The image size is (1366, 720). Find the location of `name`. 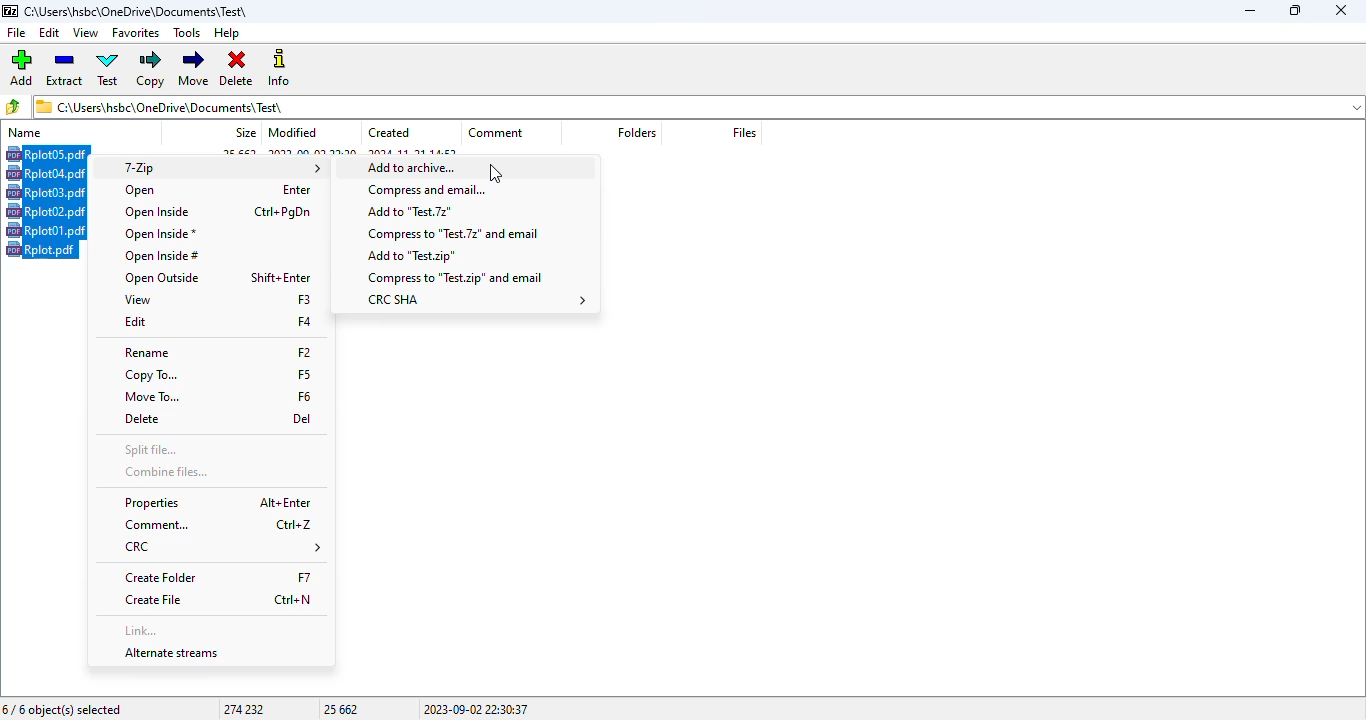

name is located at coordinates (25, 132).